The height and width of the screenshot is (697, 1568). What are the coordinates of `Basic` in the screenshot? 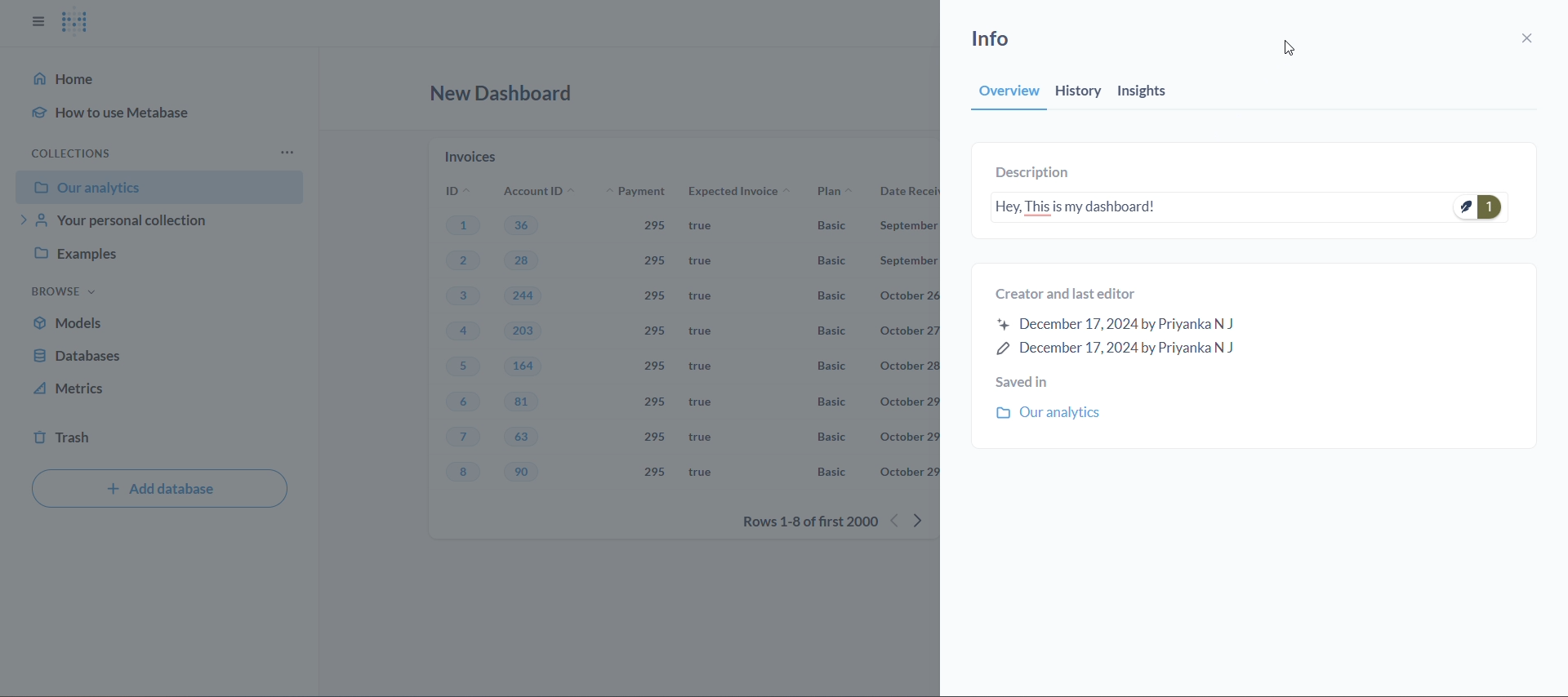 It's located at (827, 300).